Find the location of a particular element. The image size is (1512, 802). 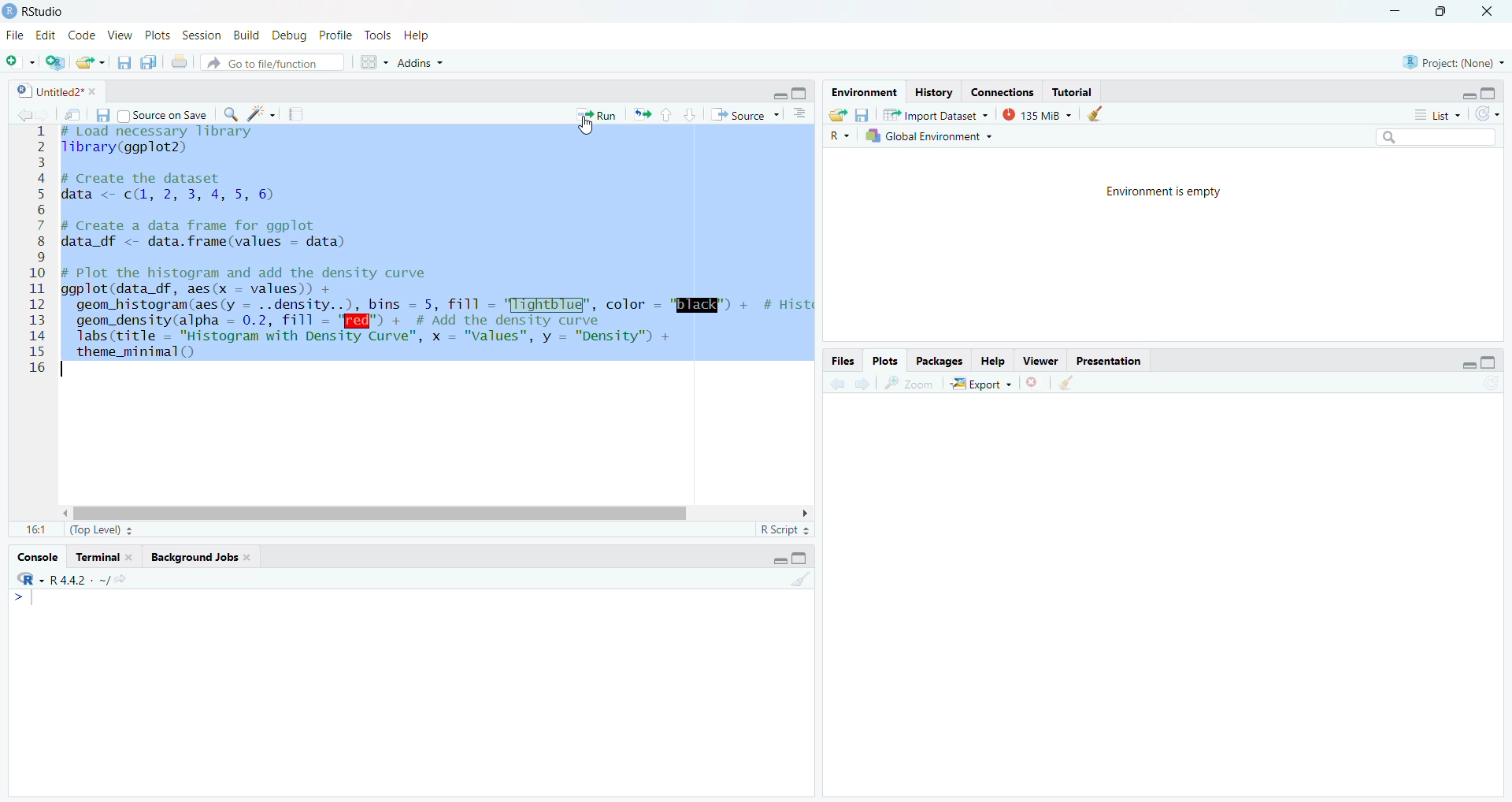

minimize is located at coordinates (1470, 366).